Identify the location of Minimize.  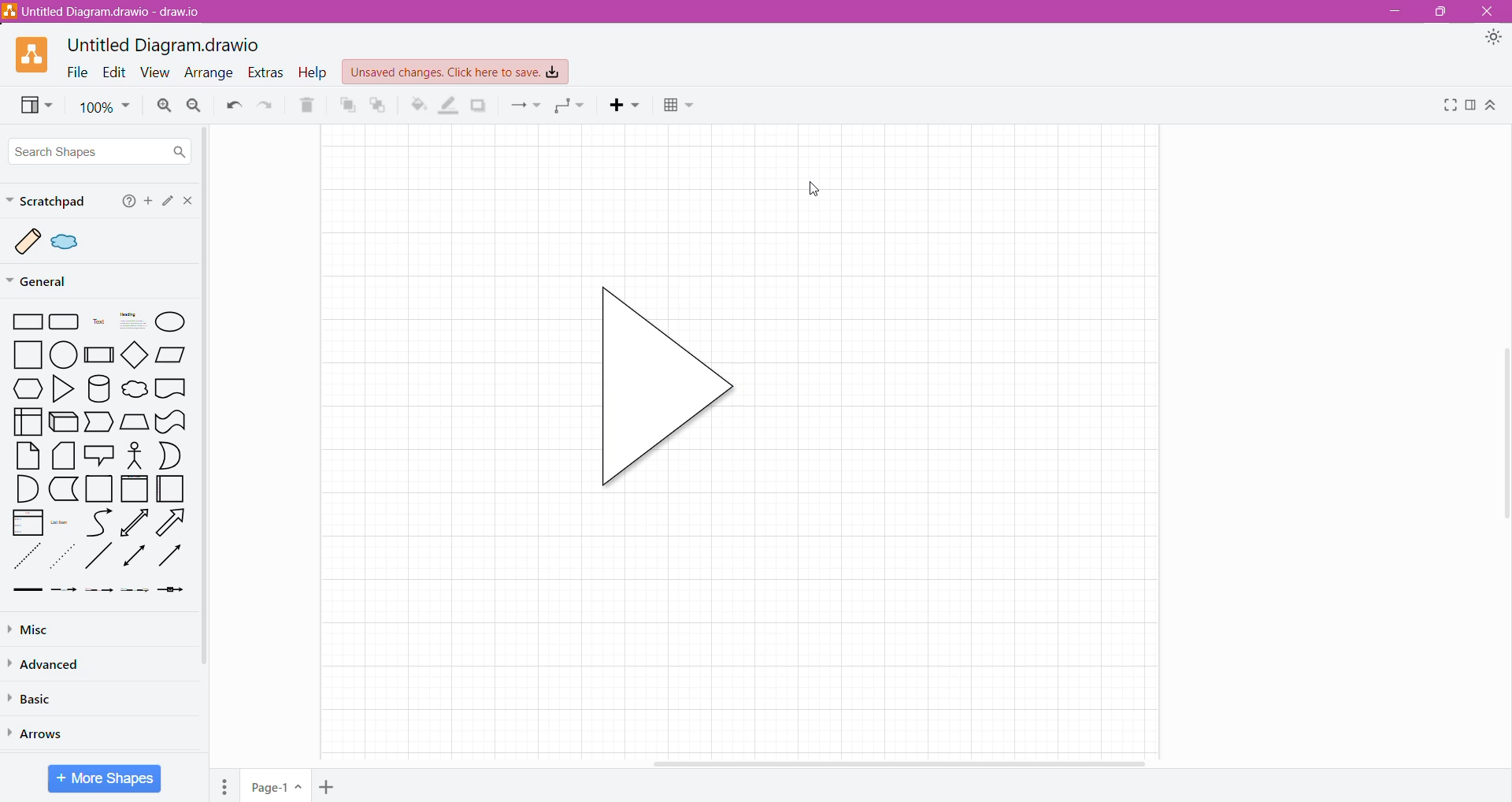
(1399, 10).